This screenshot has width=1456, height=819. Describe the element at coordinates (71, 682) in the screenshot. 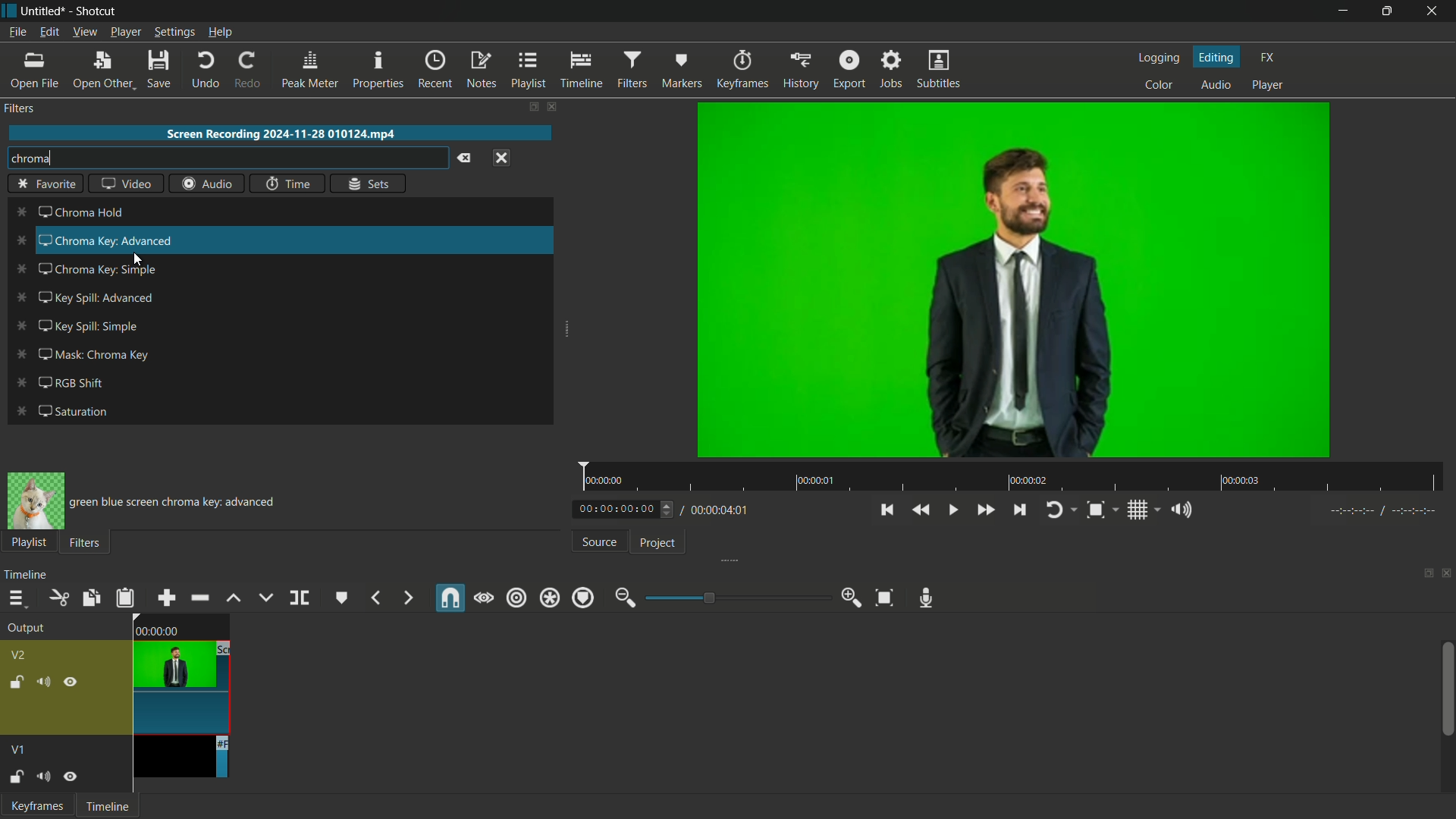

I see `hide` at that location.